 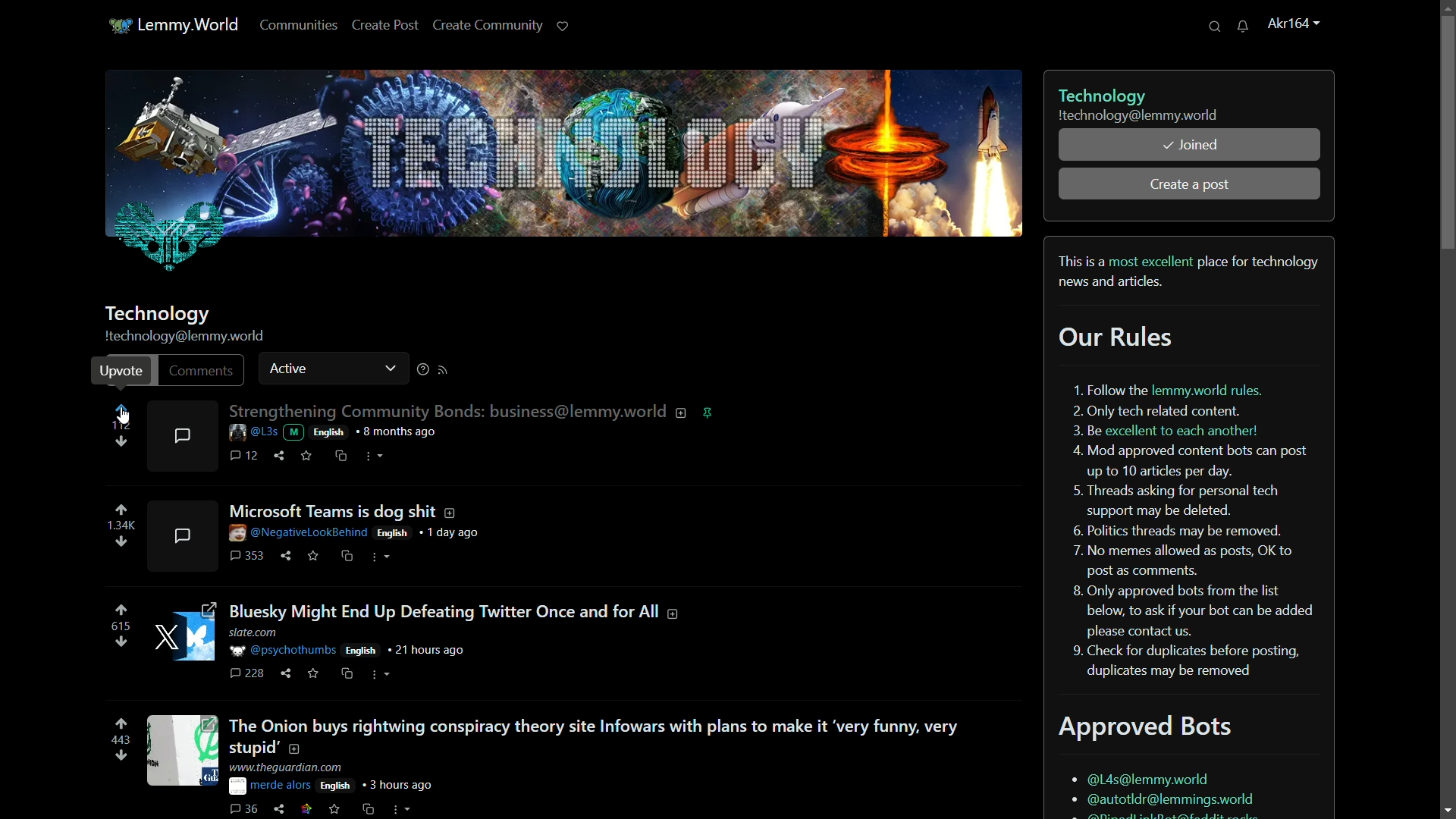 What do you see at coordinates (121, 441) in the screenshot?
I see `downvote` at bounding box center [121, 441].